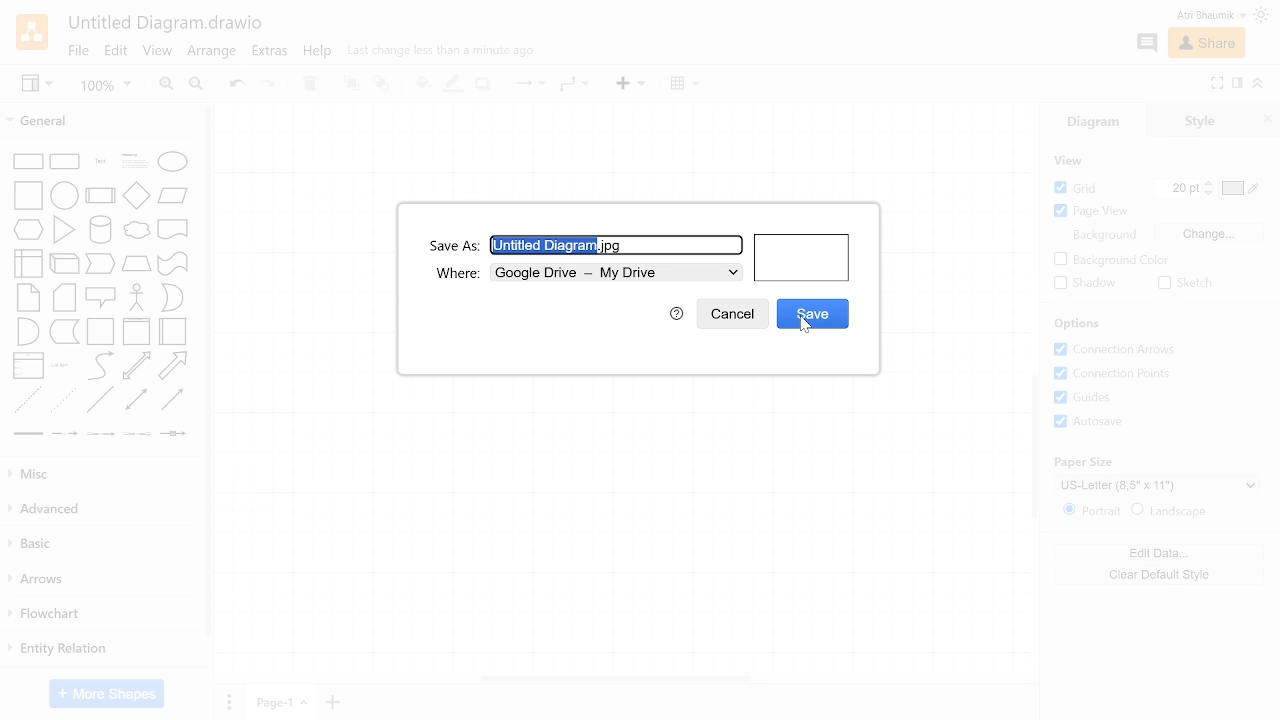 Image resolution: width=1280 pixels, height=720 pixels. I want to click on Current window, so click(167, 22).